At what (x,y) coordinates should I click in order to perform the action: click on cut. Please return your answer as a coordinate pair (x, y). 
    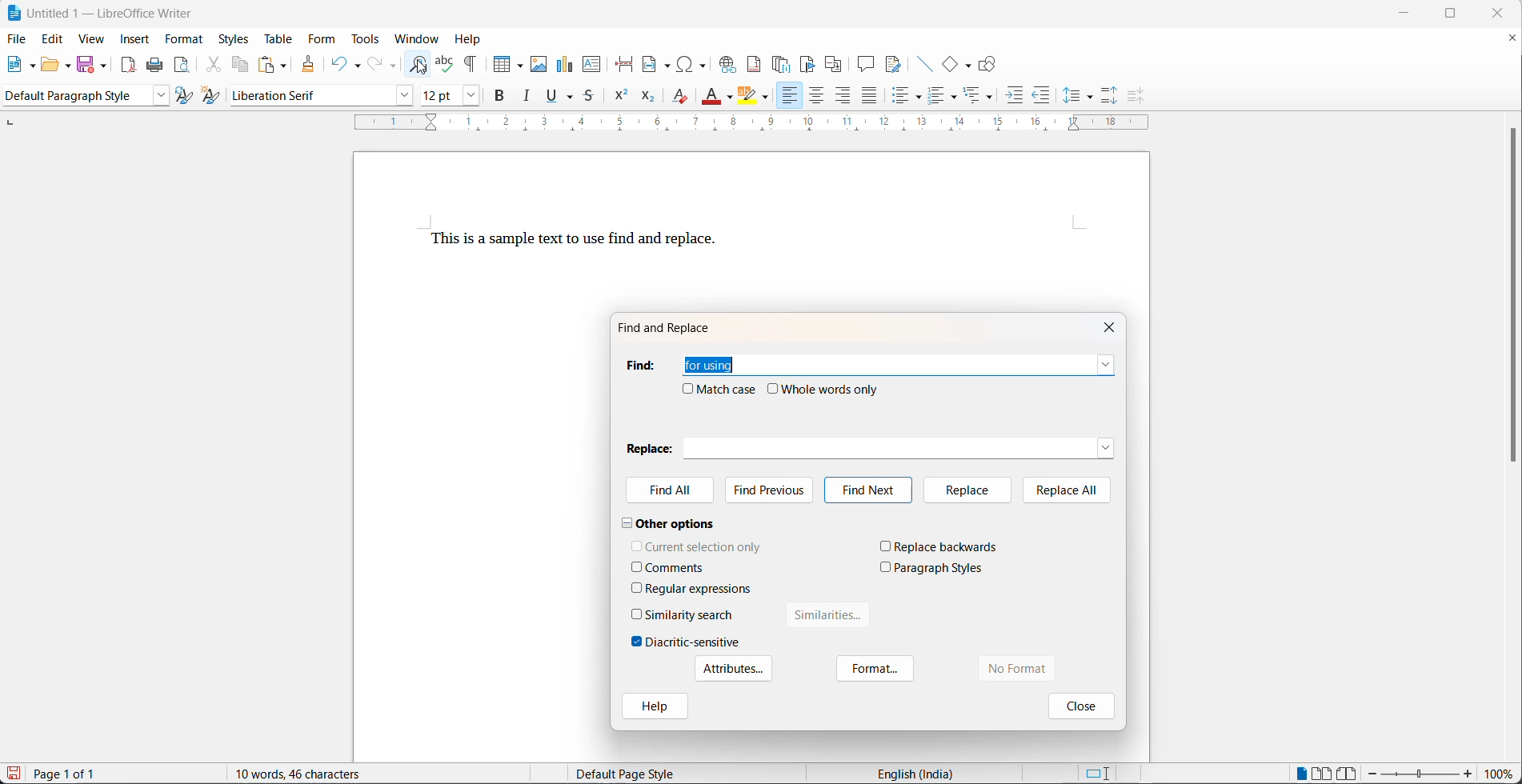
    Looking at the image, I should click on (214, 66).